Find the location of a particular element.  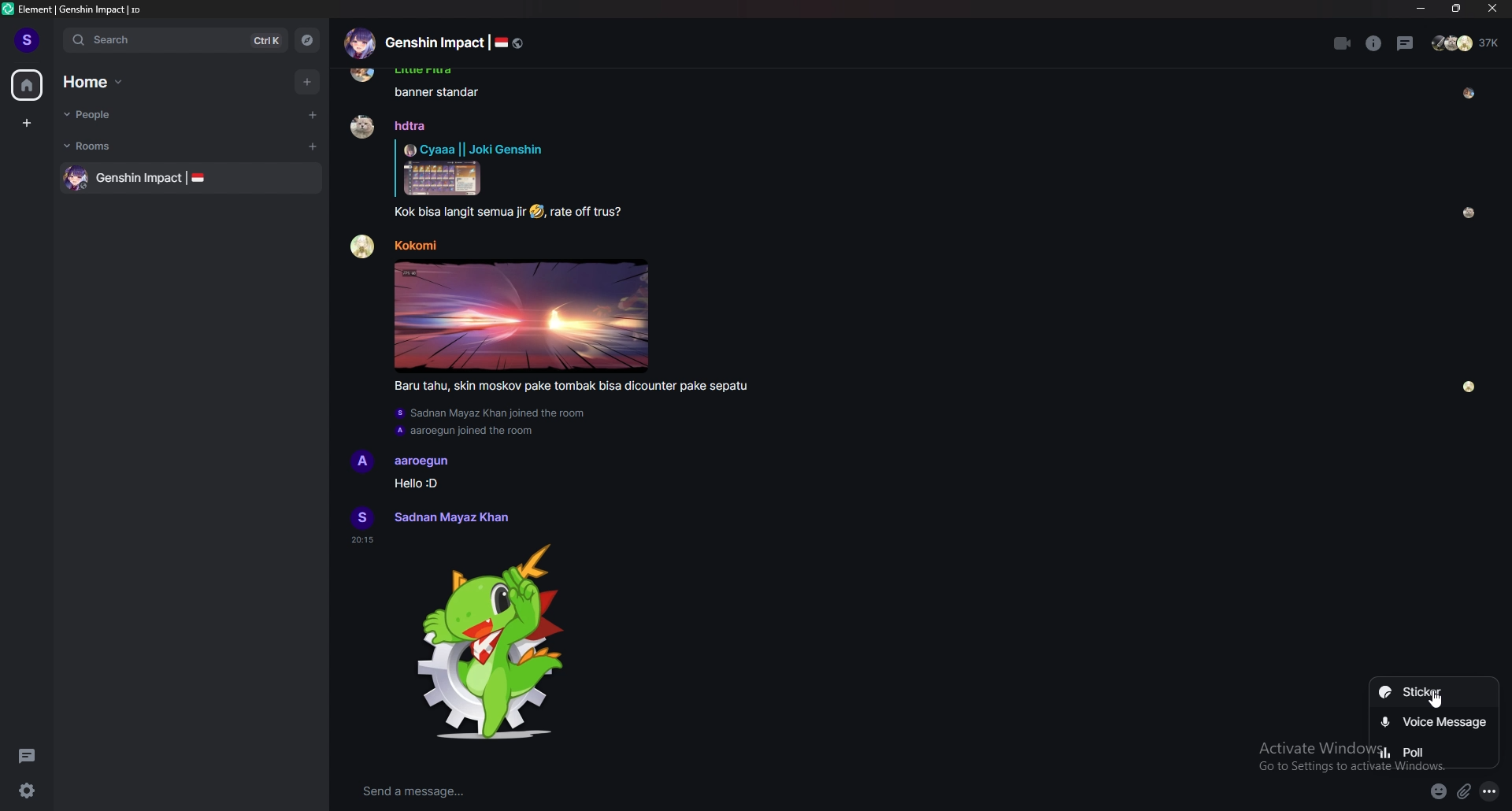

Kokomi is located at coordinates (415, 245).